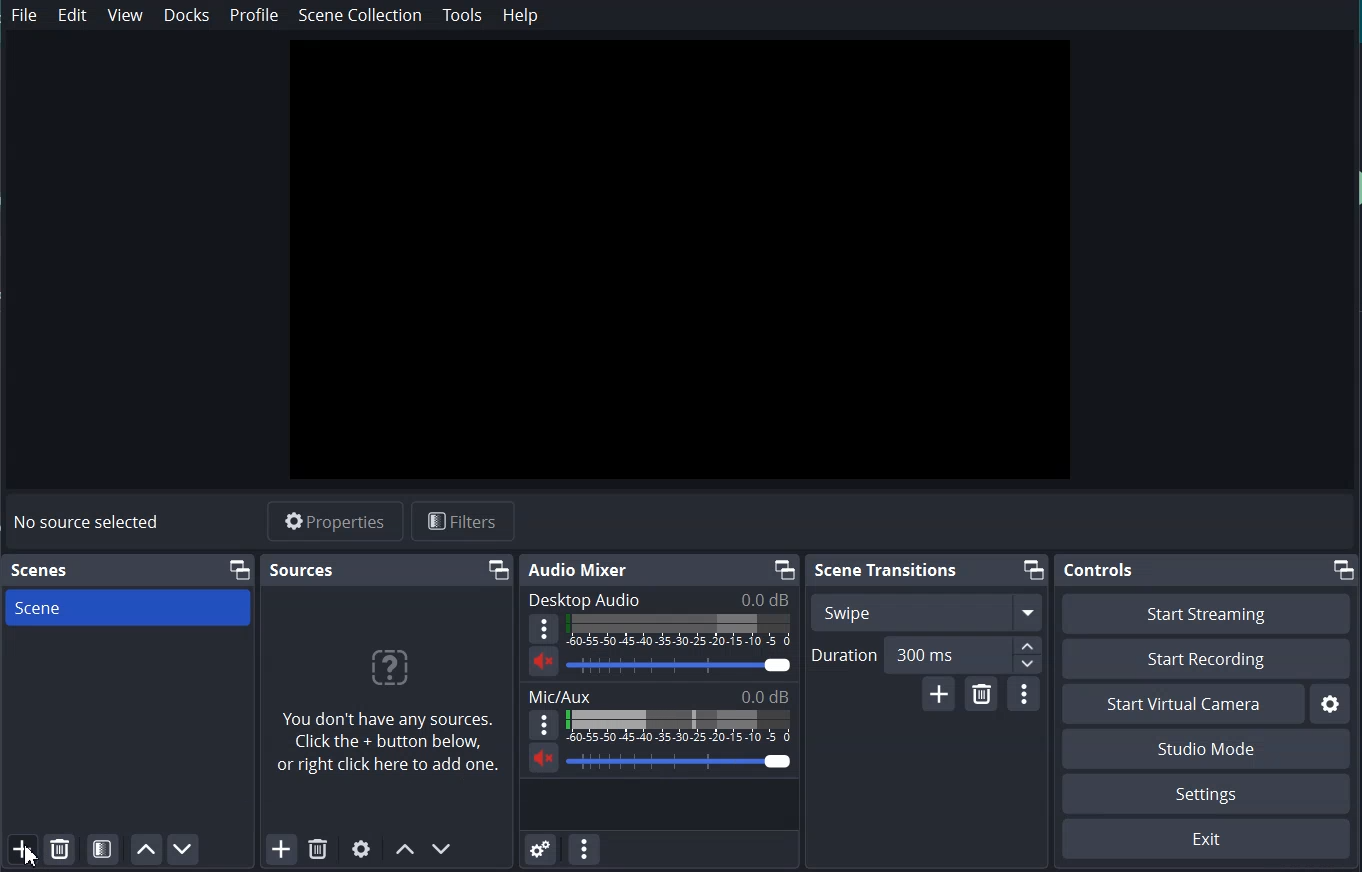 The image size is (1362, 872). I want to click on Mute , so click(544, 757).